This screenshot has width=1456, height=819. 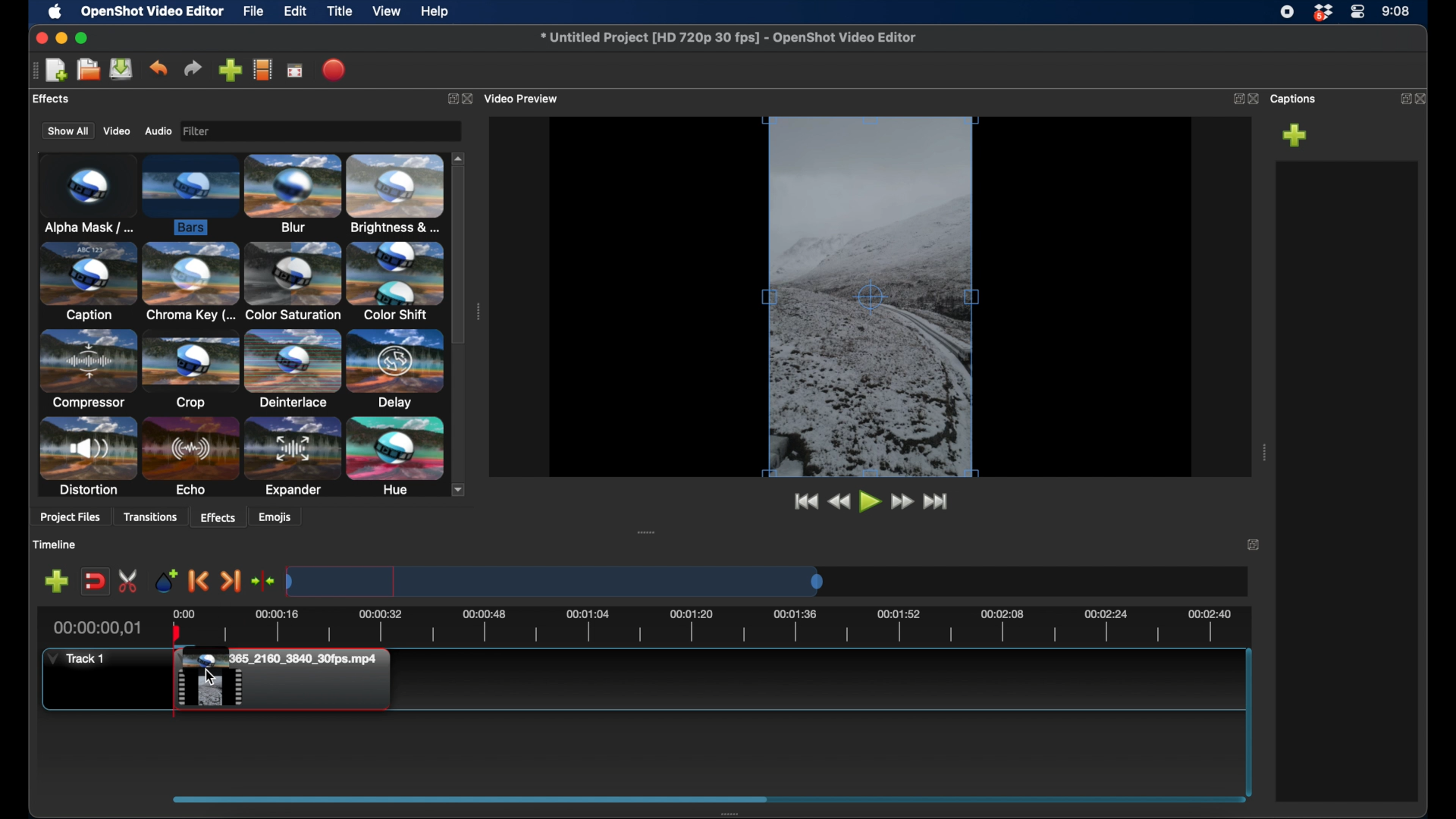 I want to click on drag handle, so click(x=646, y=531).